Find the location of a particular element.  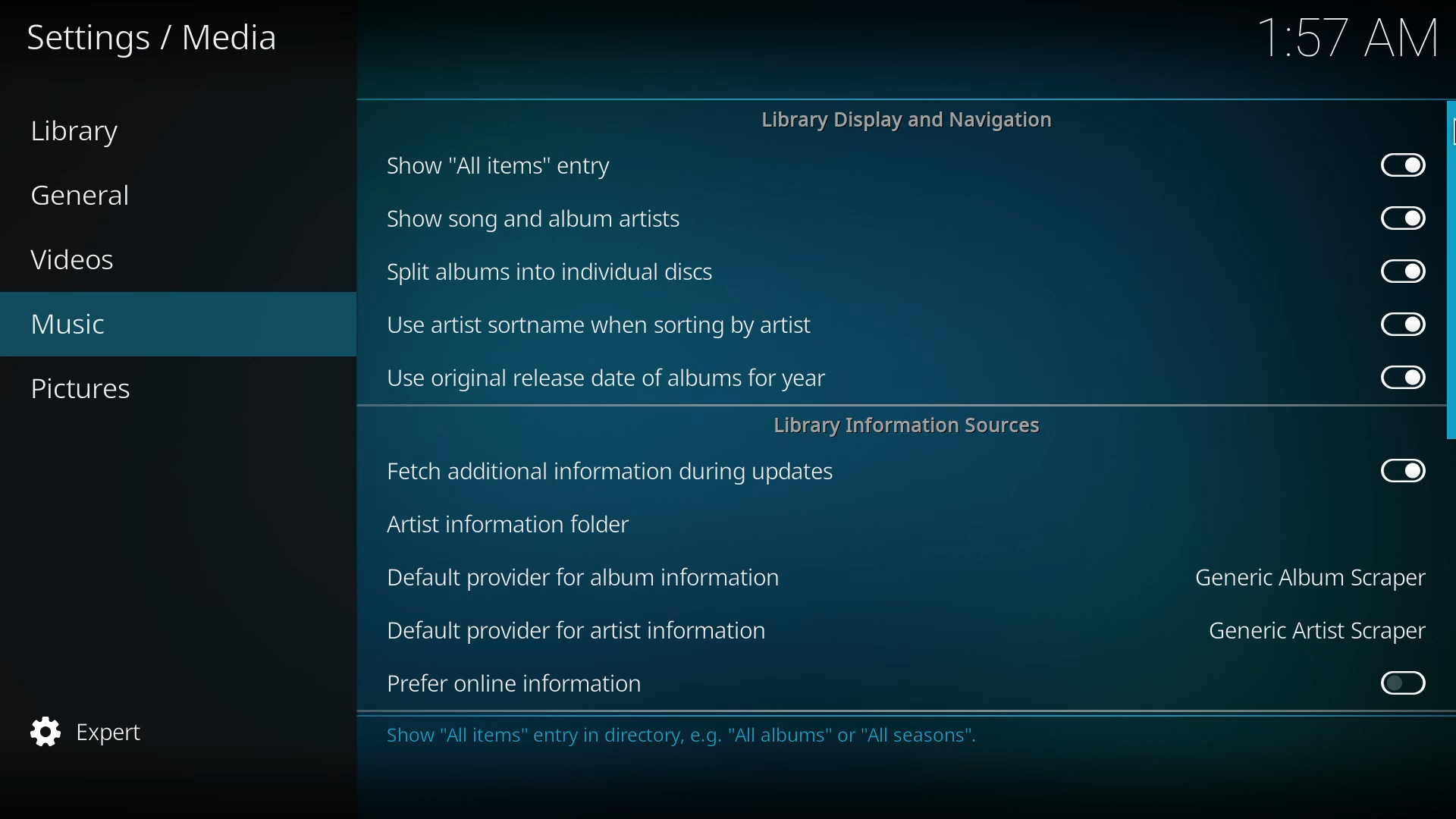

mouse down is located at coordinates (1452, 140).